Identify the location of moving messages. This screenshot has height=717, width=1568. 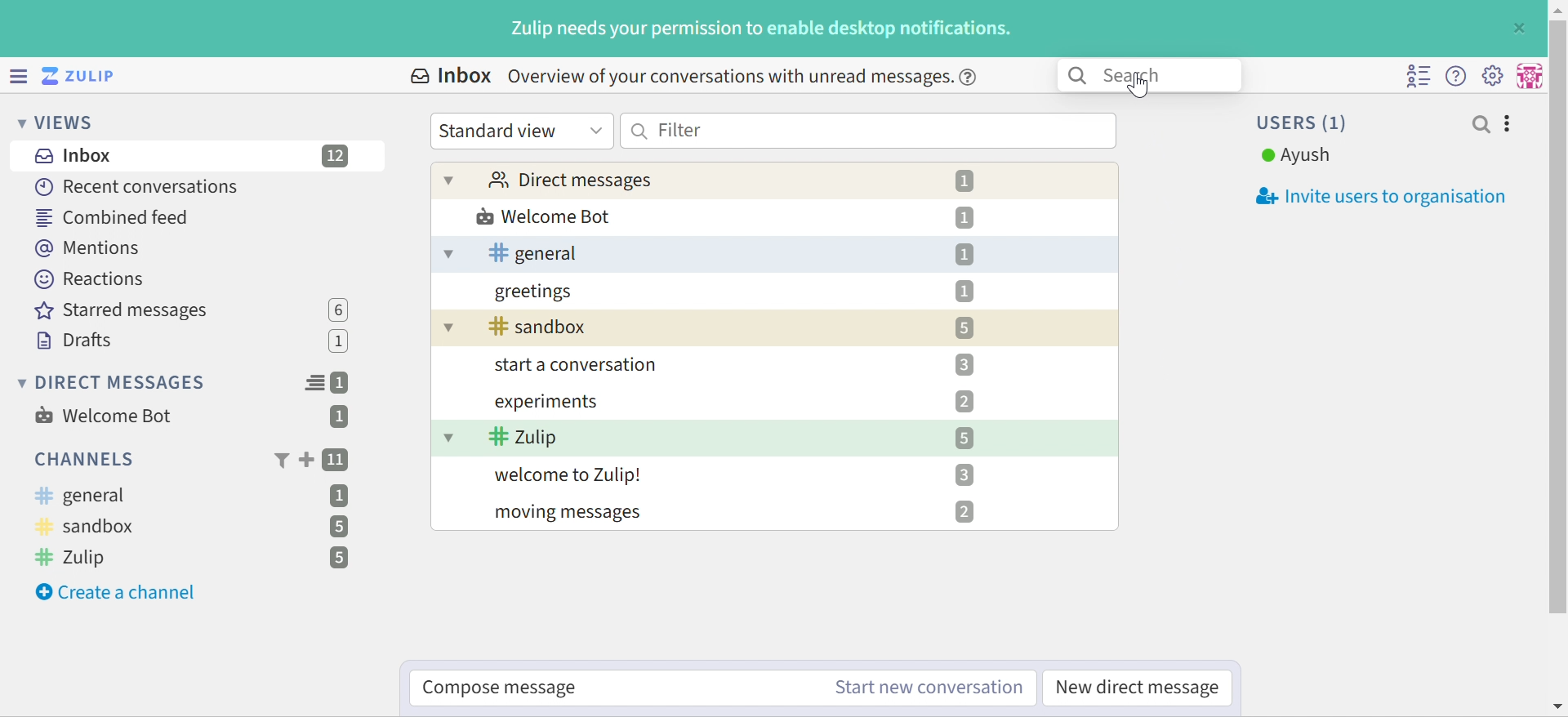
(572, 514).